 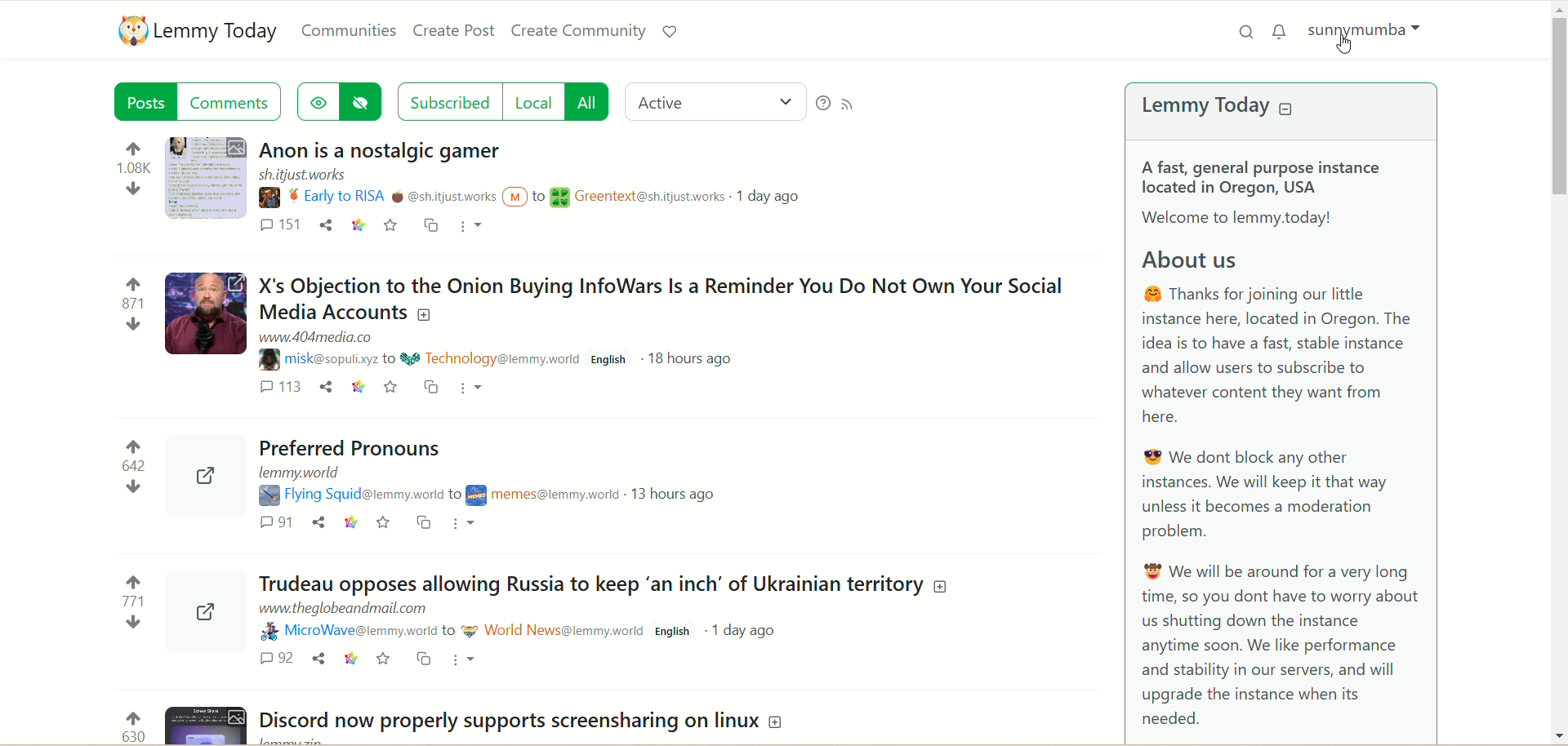 What do you see at coordinates (590, 102) in the screenshot?
I see `all` at bounding box center [590, 102].